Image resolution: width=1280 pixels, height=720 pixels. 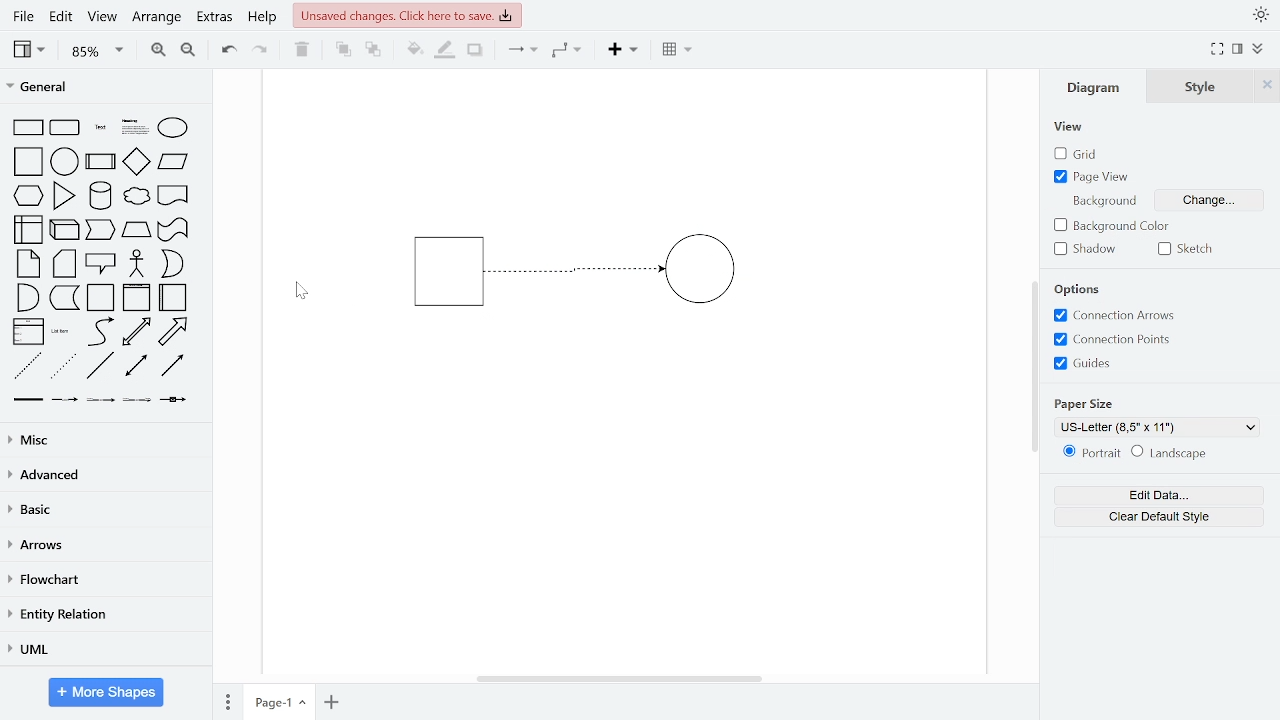 What do you see at coordinates (26, 16) in the screenshot?
I see `file` at bounding box center [26, 16].